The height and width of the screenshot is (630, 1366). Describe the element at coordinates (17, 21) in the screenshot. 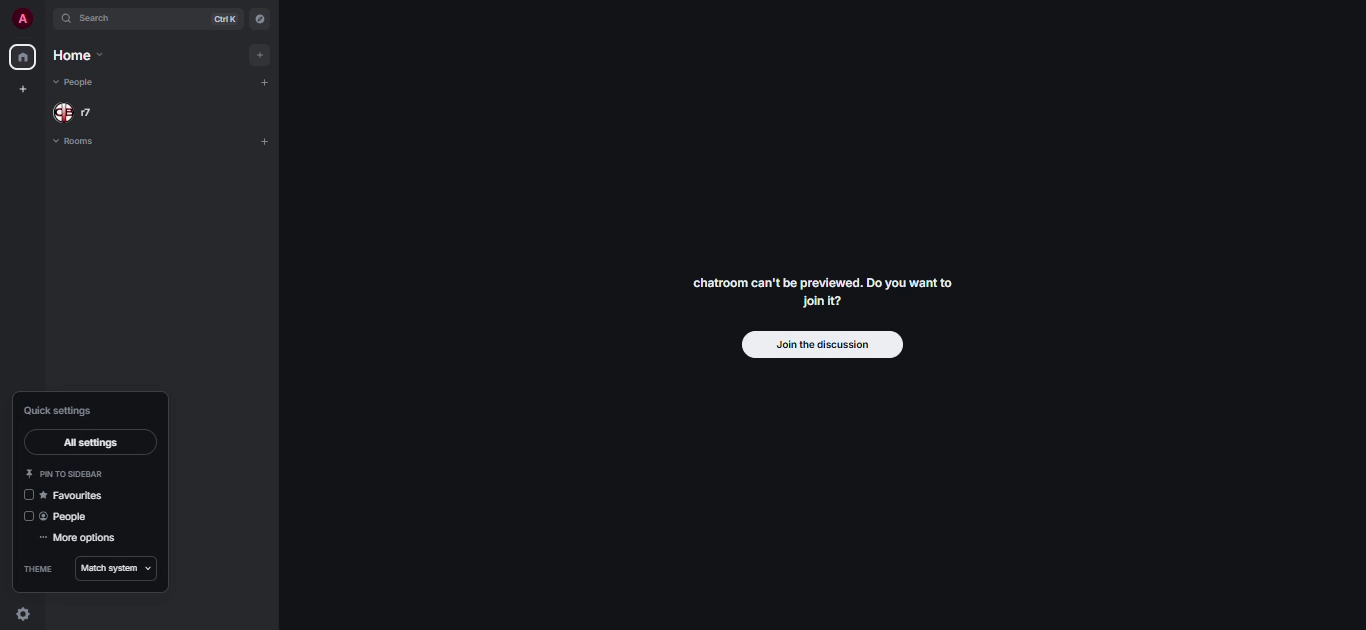

I see `profile` at that location.